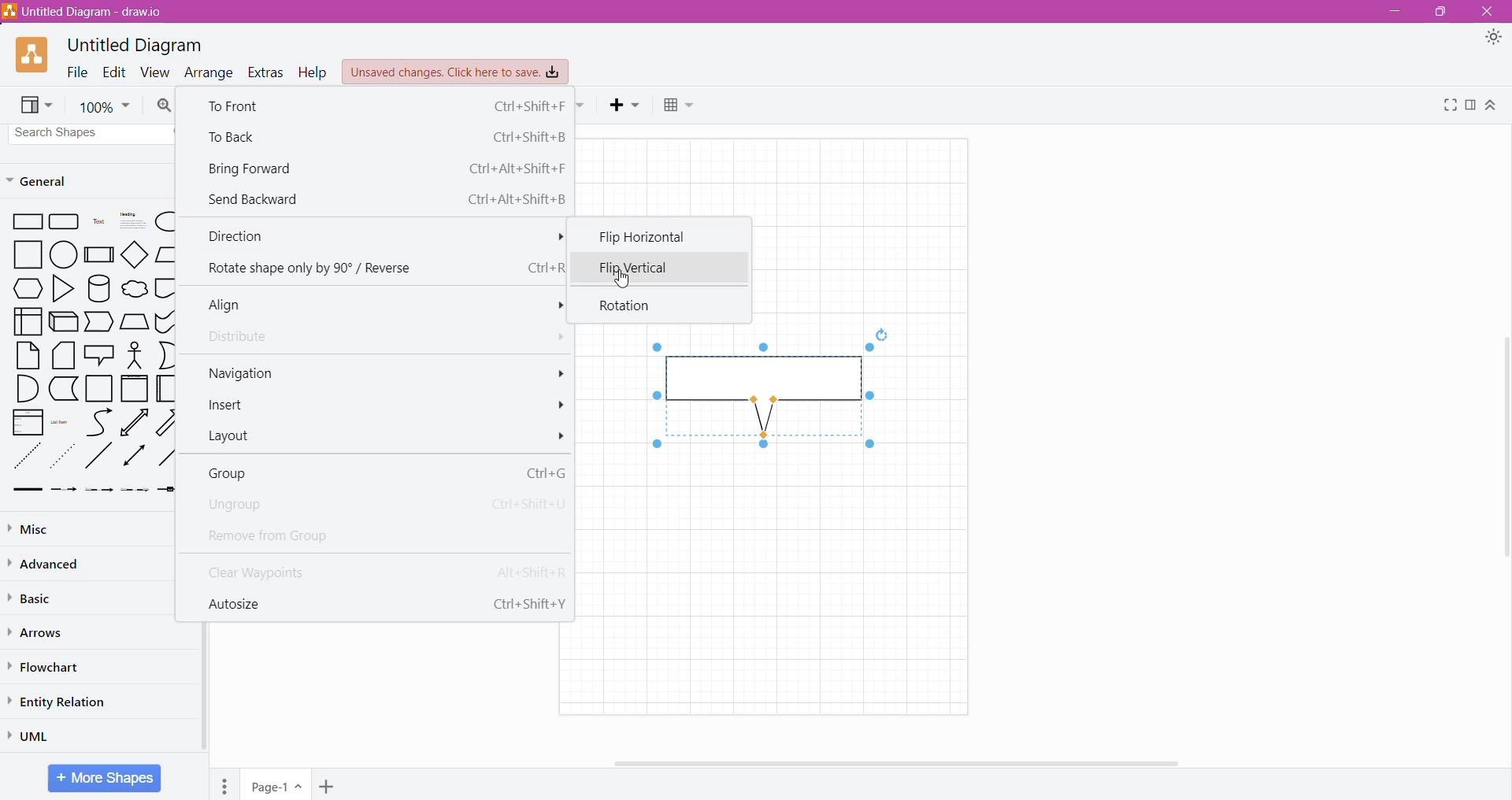  Describe the element at coordinates (135, 321) in the screenshot. I see `manual input` at that location.